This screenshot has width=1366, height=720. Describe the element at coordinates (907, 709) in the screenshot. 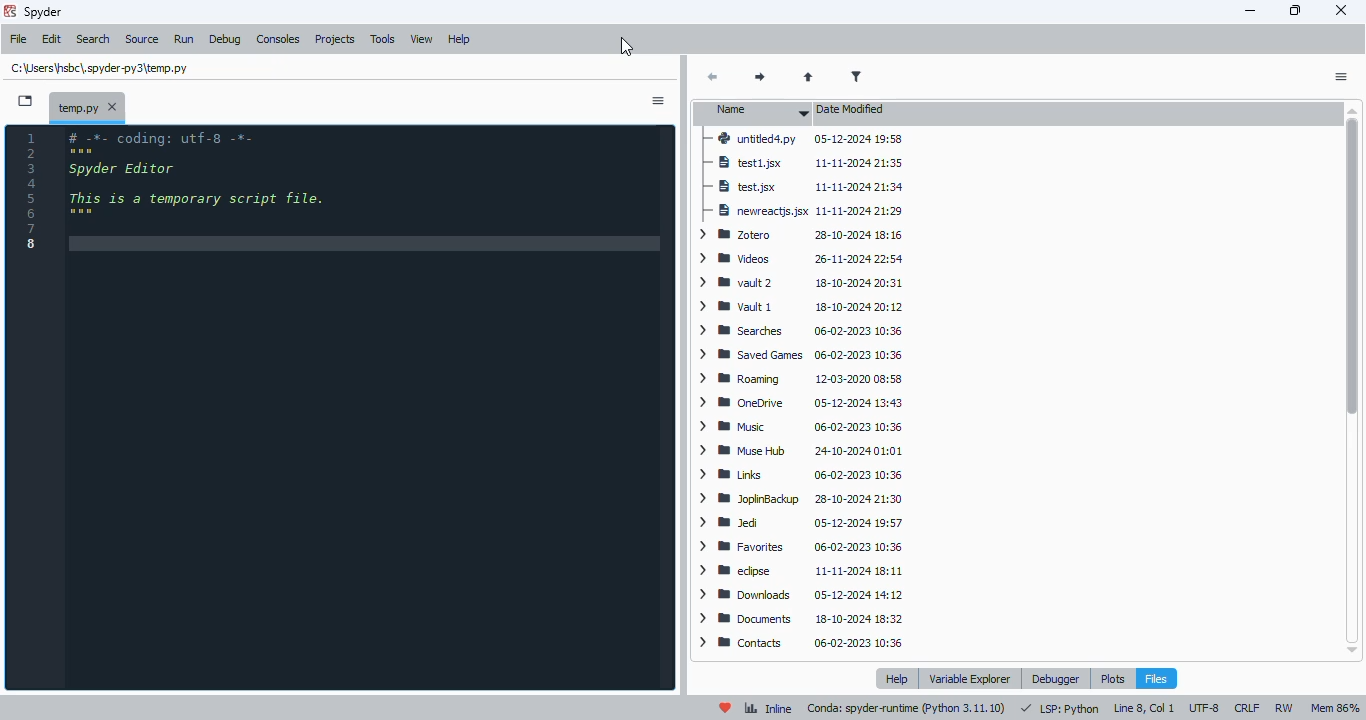

I see `conda: spyder-runtime (python 3. 11. 10)` at that location.